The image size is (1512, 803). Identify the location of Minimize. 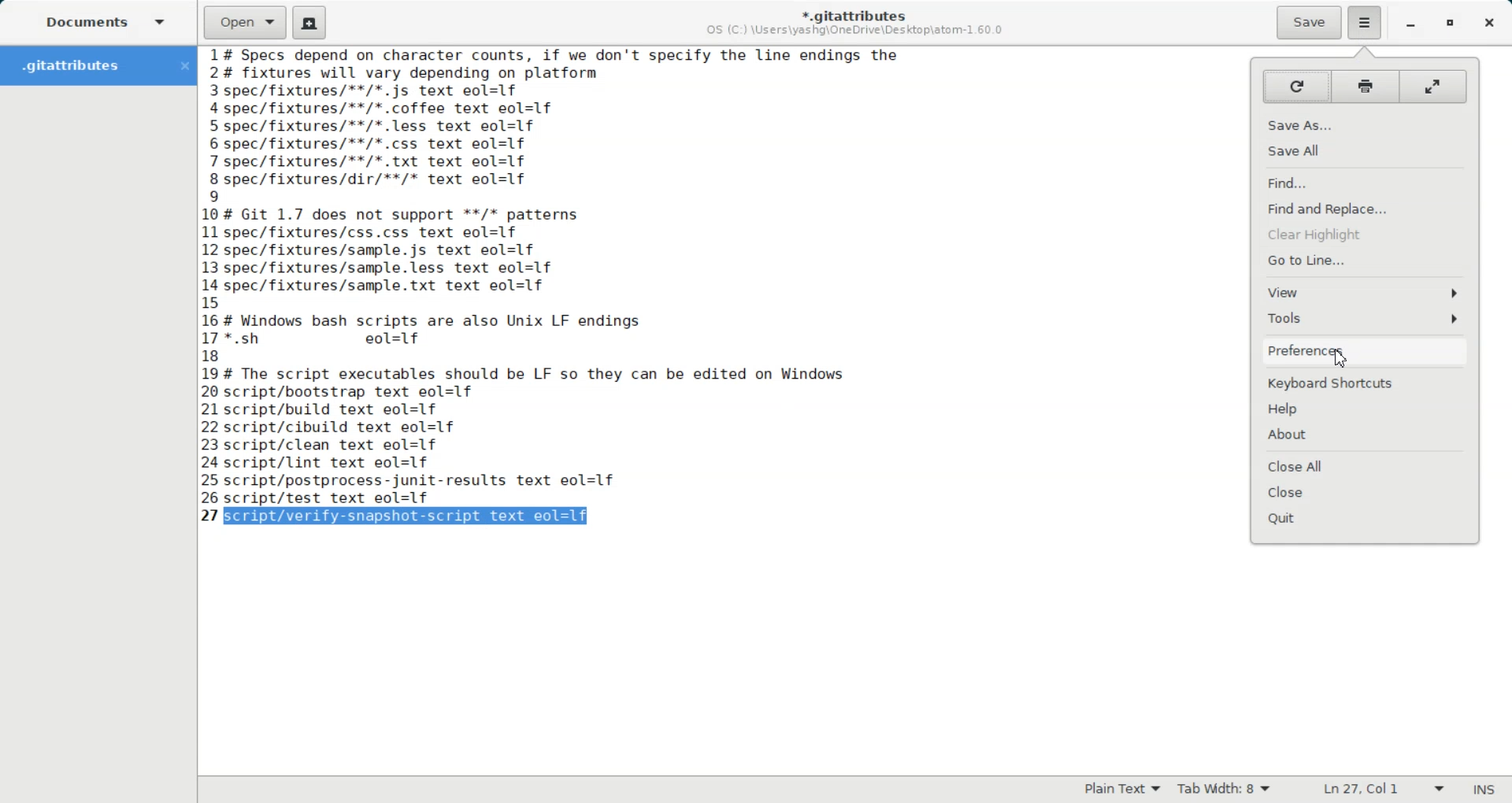
(1410, 25).